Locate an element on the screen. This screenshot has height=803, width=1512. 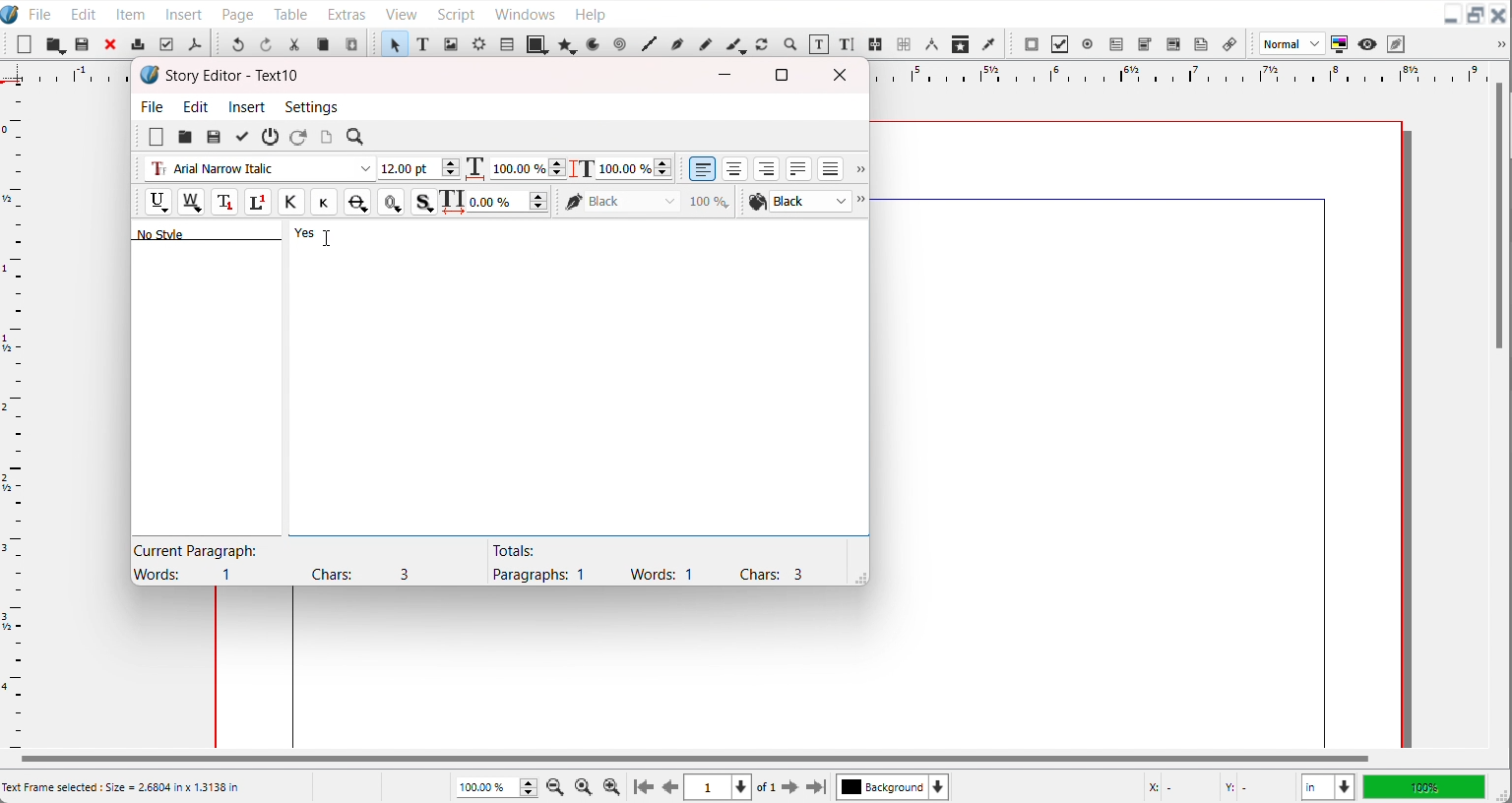
Align text right is located at coordinates (767, 168).